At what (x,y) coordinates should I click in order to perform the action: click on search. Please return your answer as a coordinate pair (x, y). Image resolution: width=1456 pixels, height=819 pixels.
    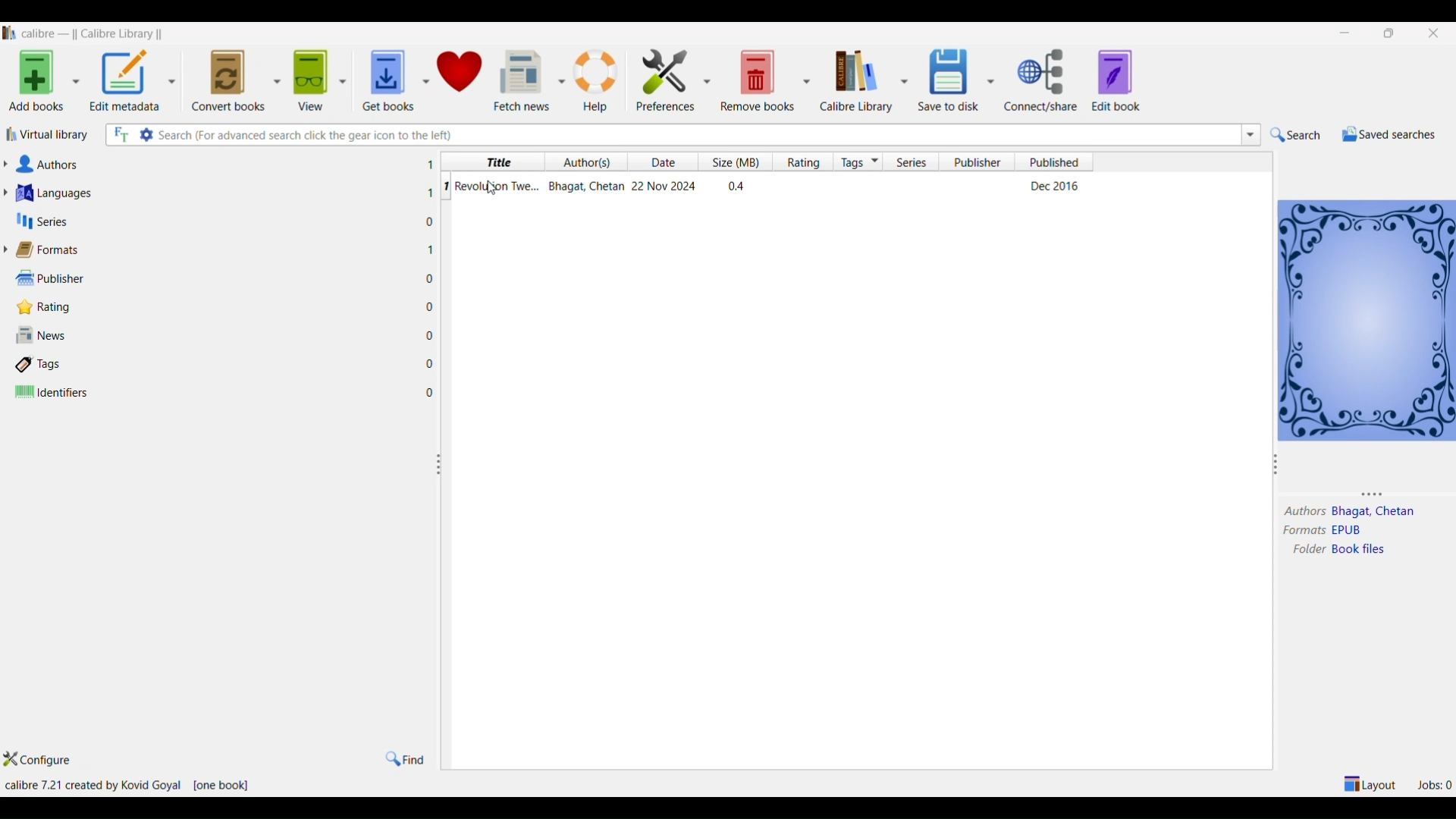
    Looking at the image, I should click on (1296, 135).